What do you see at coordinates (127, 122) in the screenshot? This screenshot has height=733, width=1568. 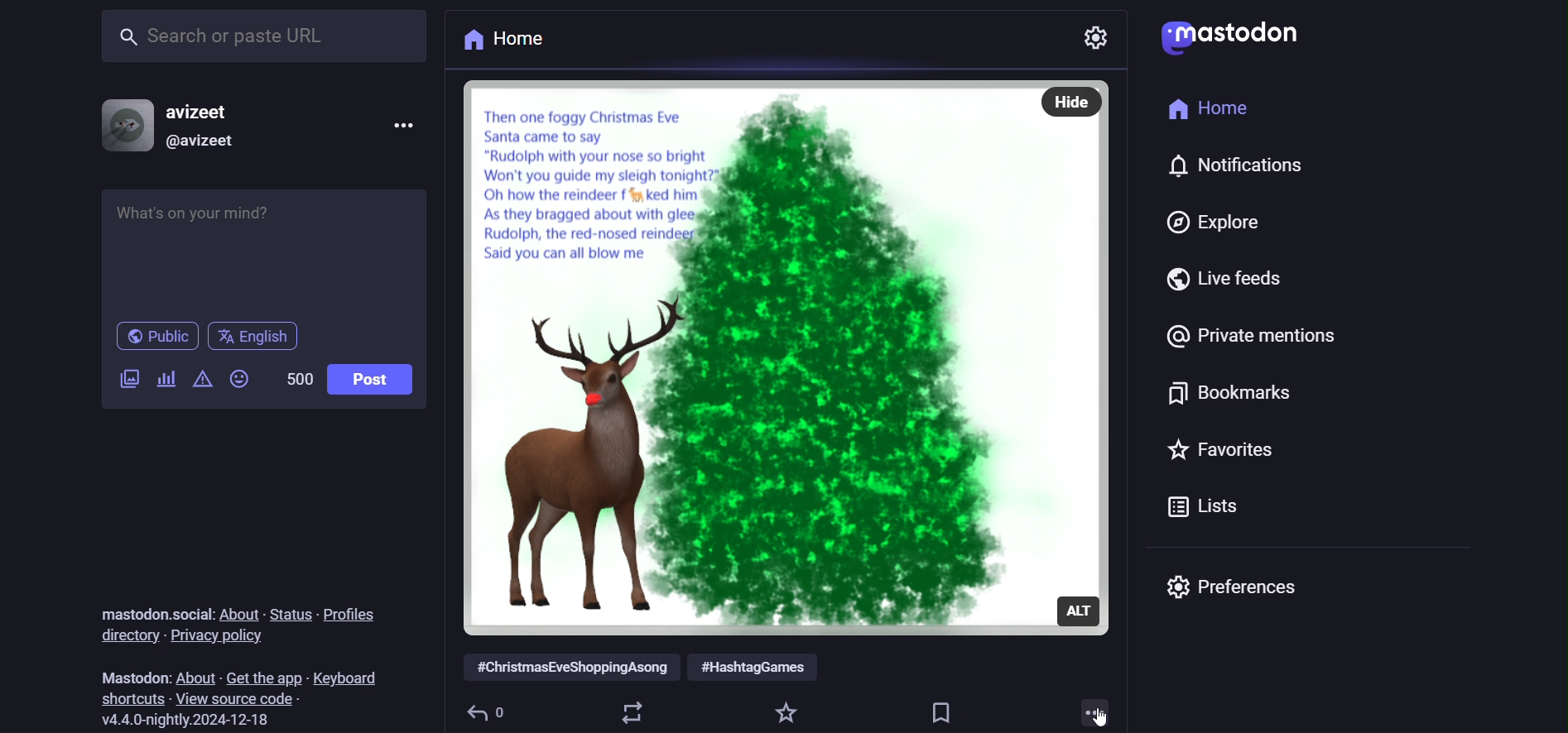 I see `profile picture` at bounding box center [127, 122].